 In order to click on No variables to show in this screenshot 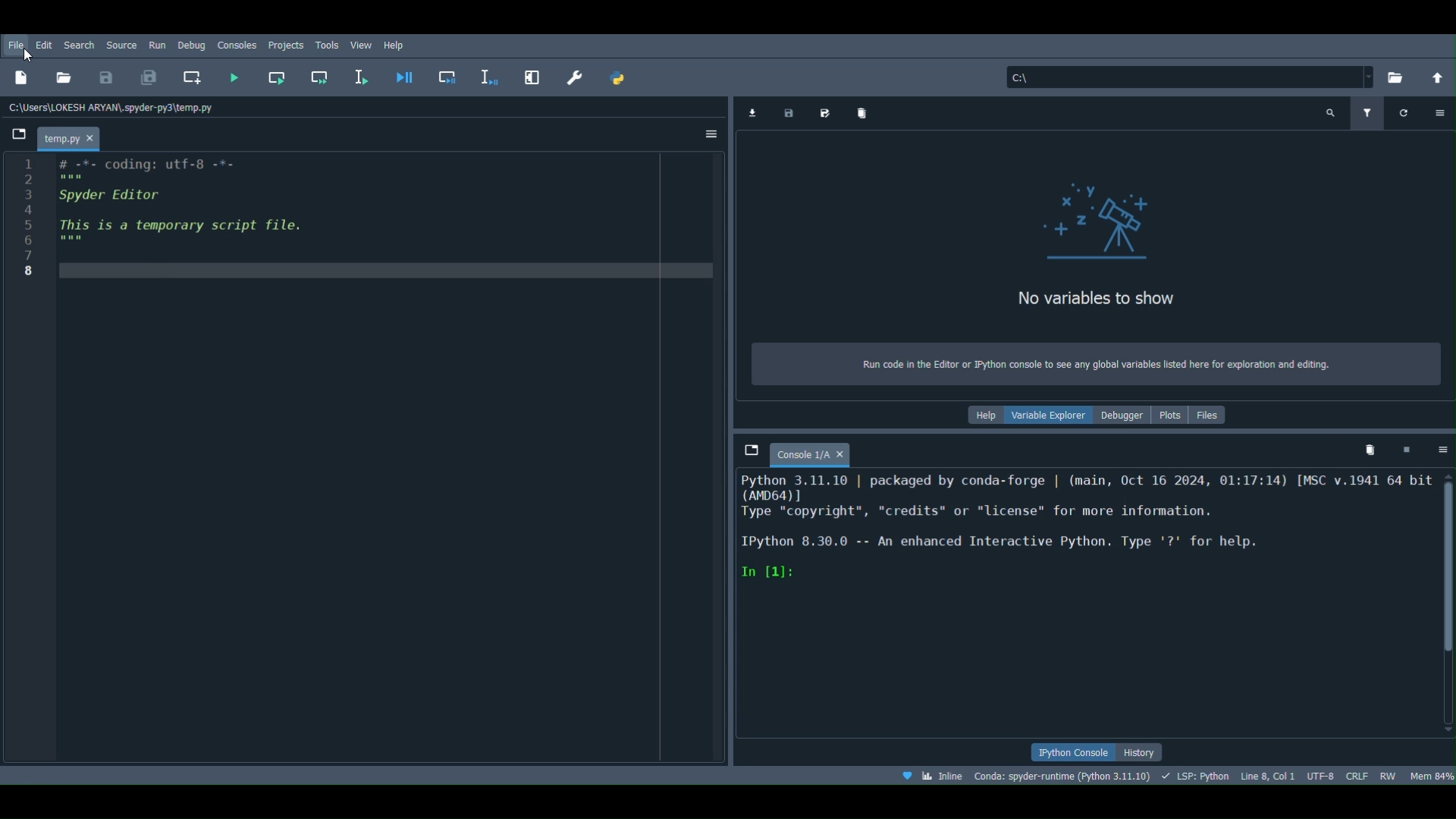, I will do `click(1147, 297)`.